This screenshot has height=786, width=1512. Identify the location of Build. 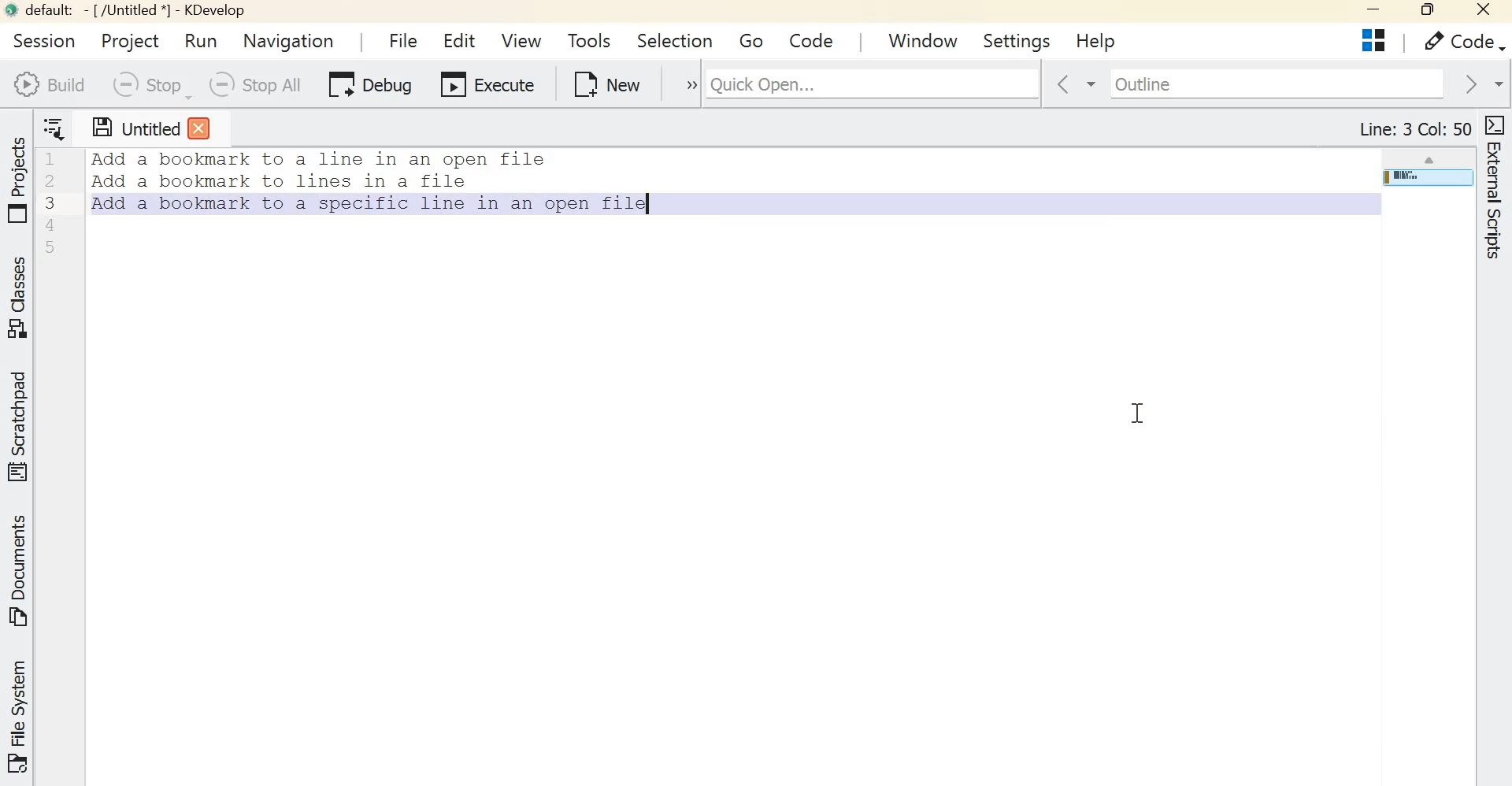
(48, 84).